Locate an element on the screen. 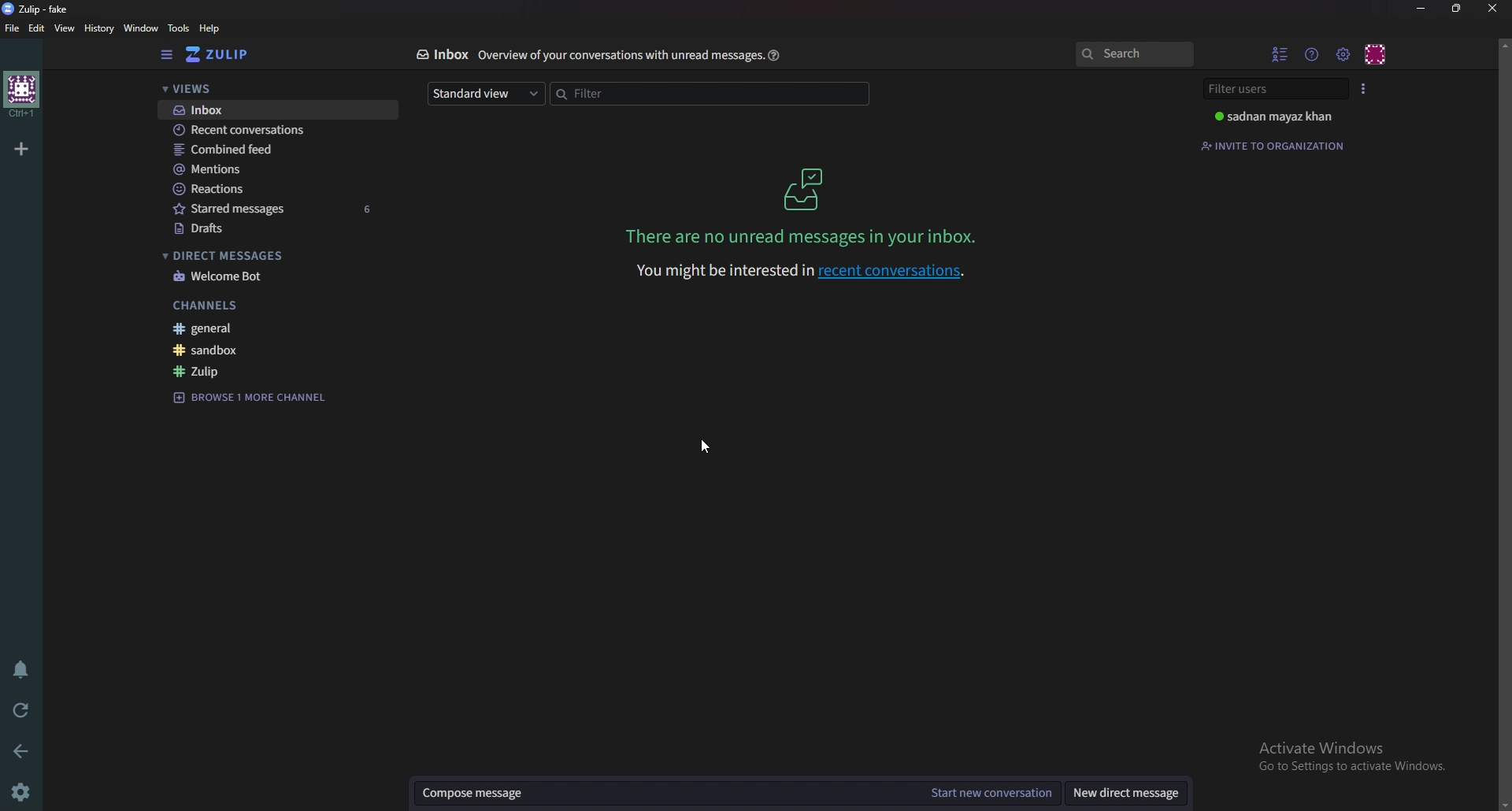  Window is located at coordinates (141, 29).